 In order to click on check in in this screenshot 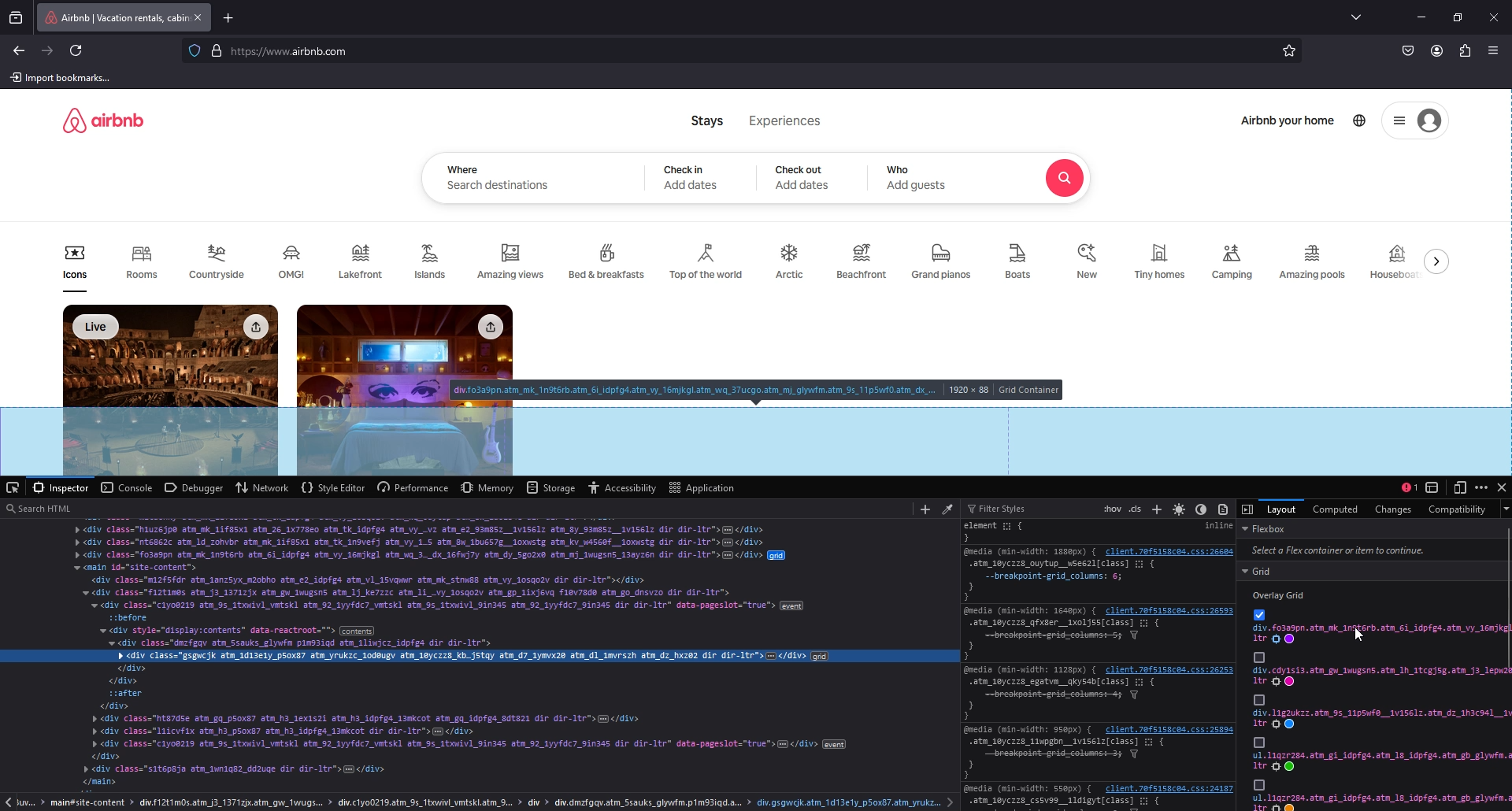, I will do `click(687, 168)`.